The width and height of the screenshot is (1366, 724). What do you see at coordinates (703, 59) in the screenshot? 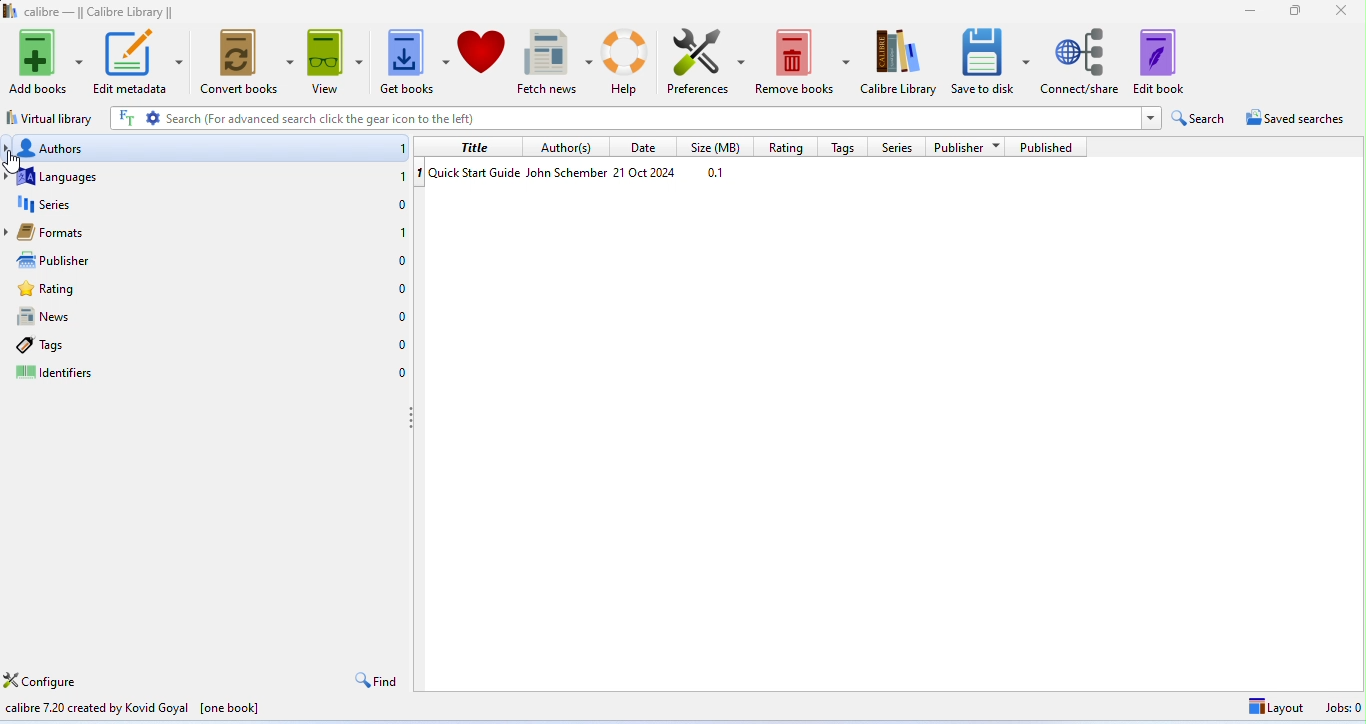
I see `preferences` at bounding box center [703, 59].